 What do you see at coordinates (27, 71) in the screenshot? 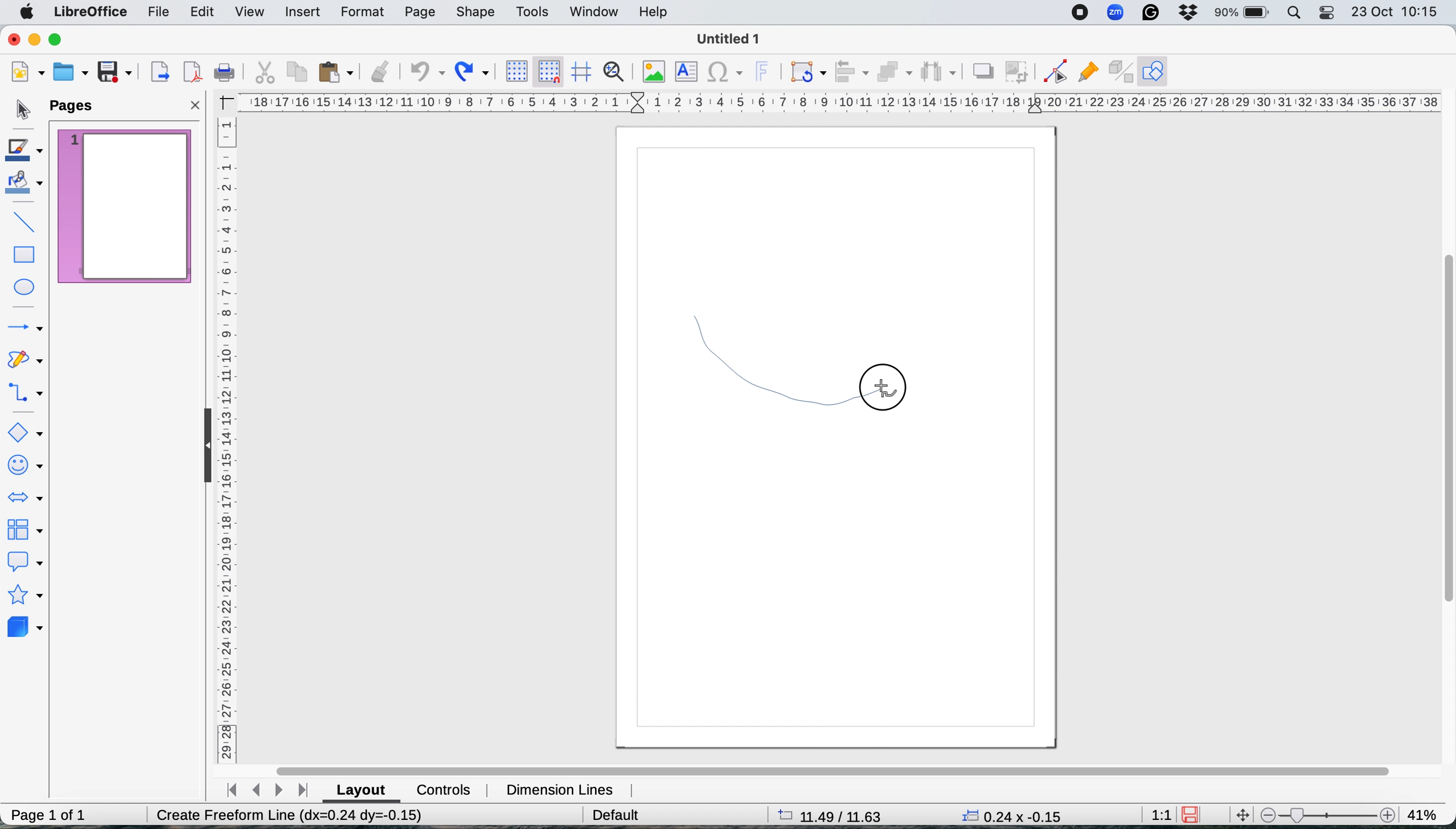
I see `new` at bounding box center [27, 71].